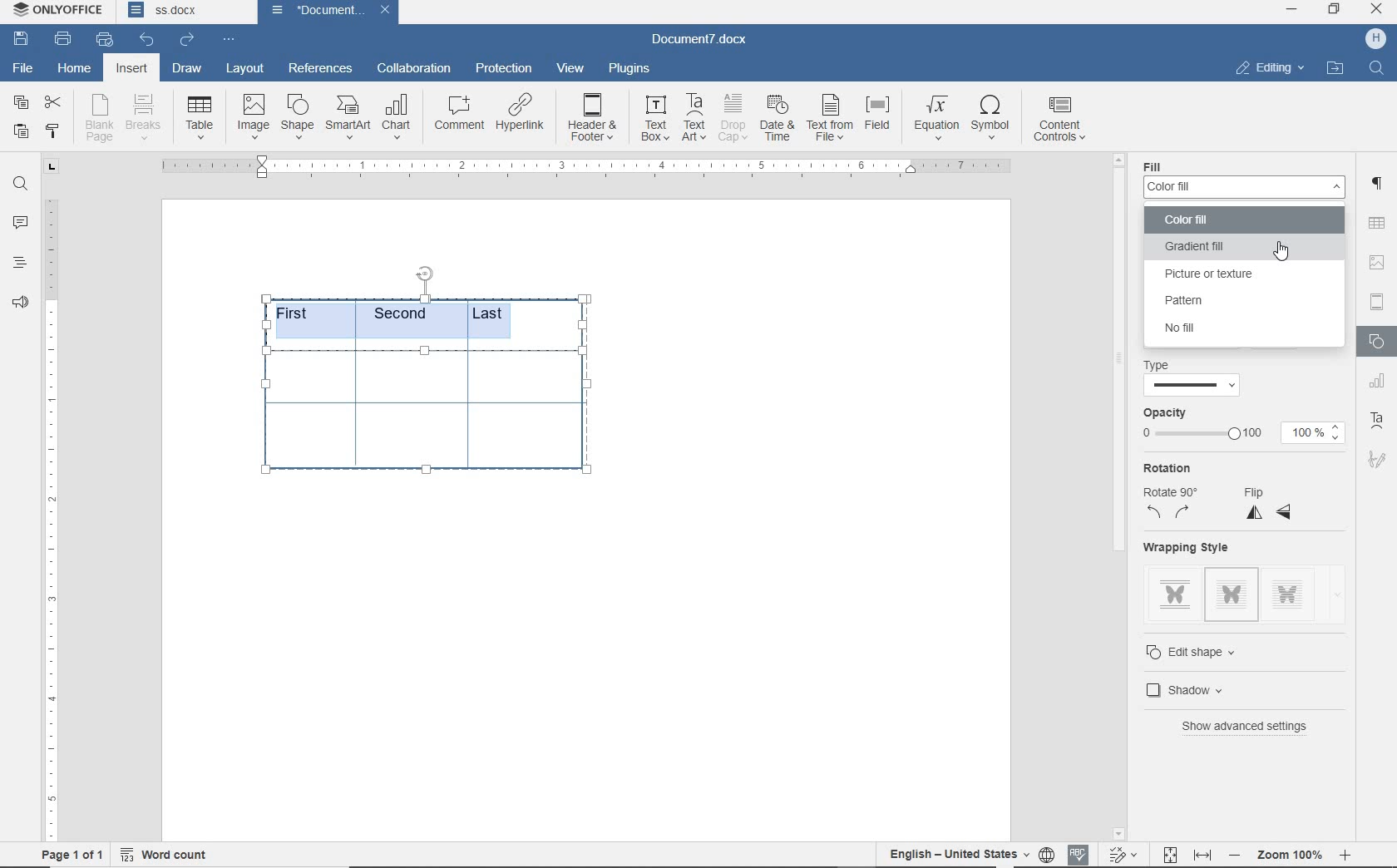 This screenshot has width=1397, height=868. Describe the element at coordinates (959, 852) in the screenshot. I see `text language` at that location.